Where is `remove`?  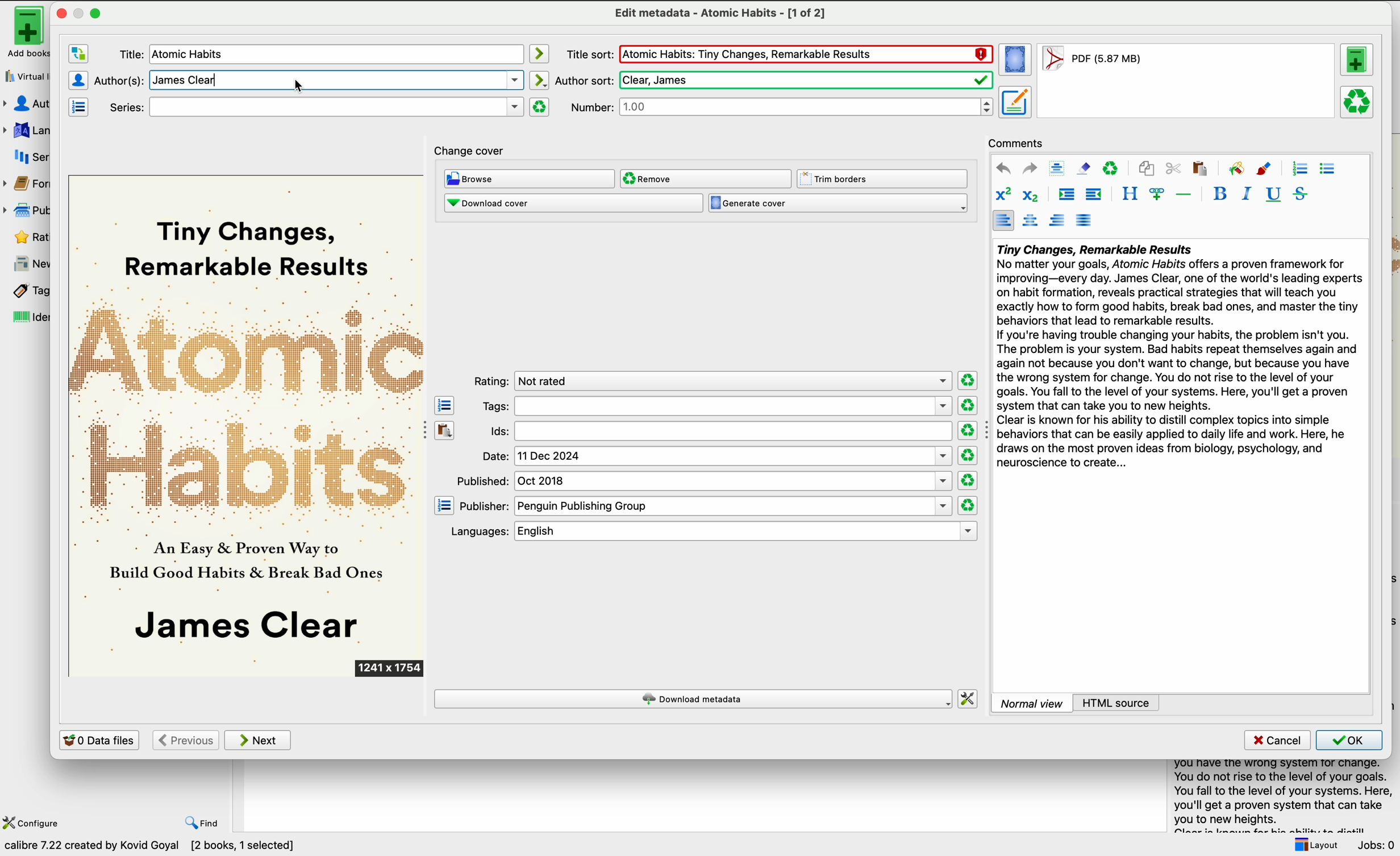 remove is located at coordinates (706, 179).